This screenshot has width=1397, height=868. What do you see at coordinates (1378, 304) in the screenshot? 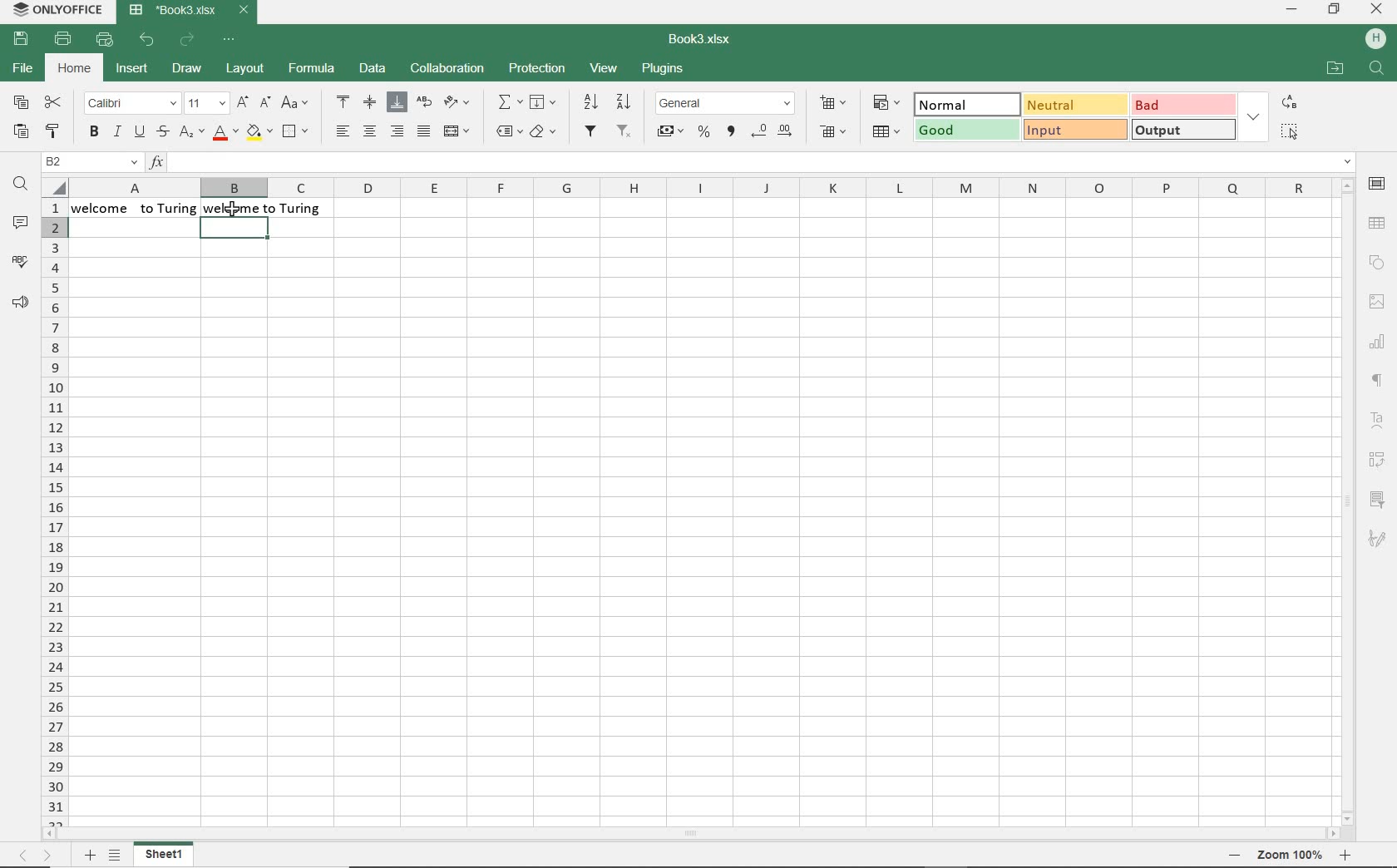
I see `image` at bounding box center [1378, 304].